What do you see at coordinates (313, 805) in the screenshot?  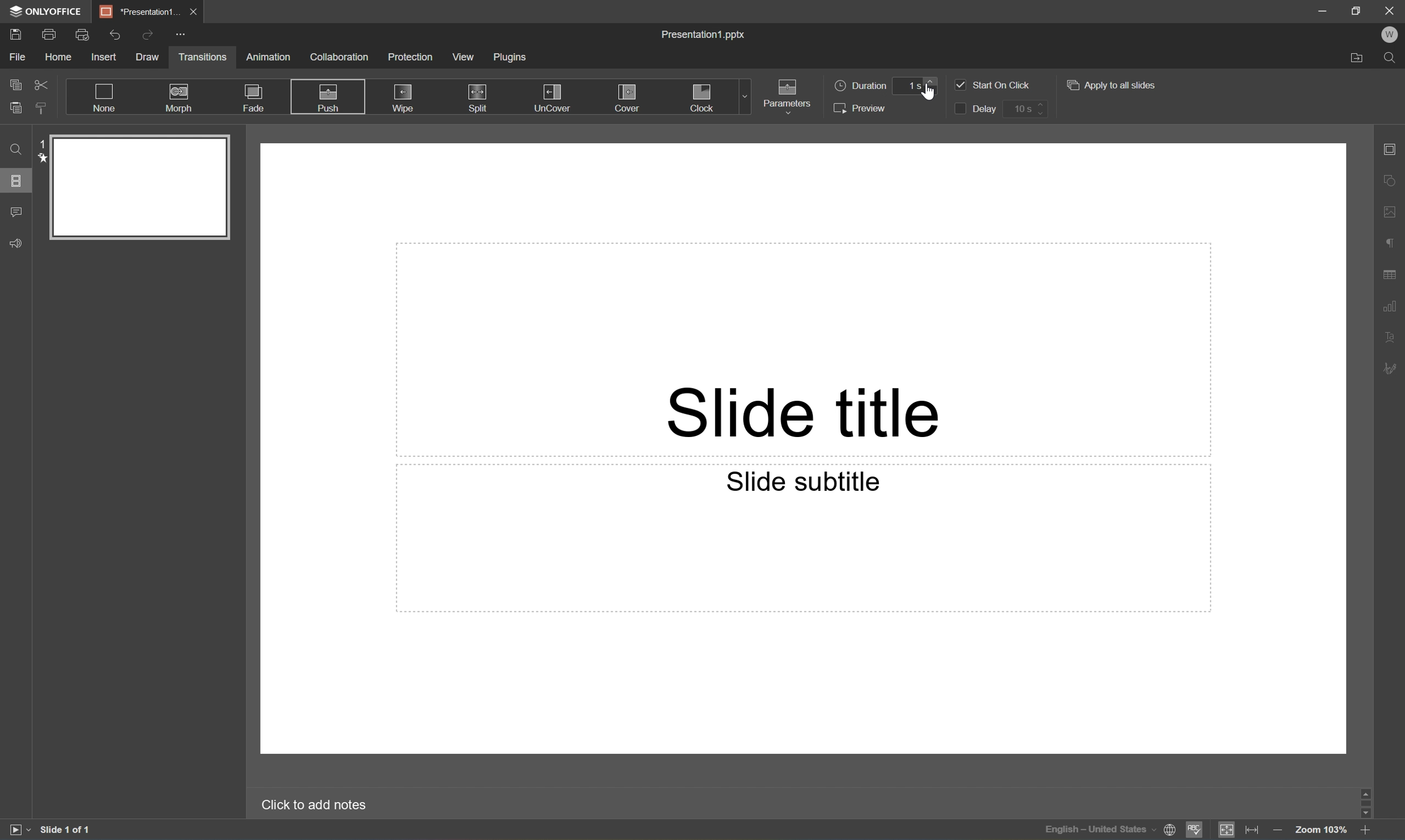 I see `Click to add notes` at bounding box center [313, 805].